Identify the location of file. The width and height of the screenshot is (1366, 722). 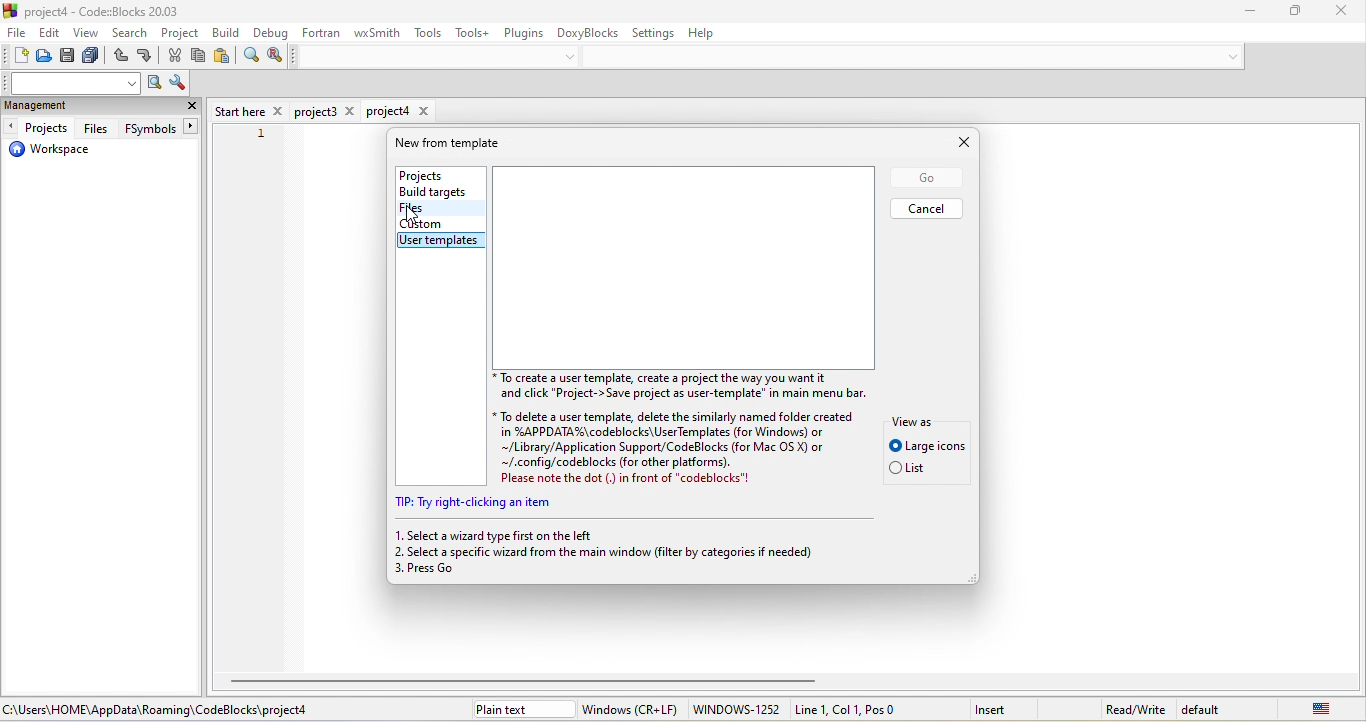
(16, 35).